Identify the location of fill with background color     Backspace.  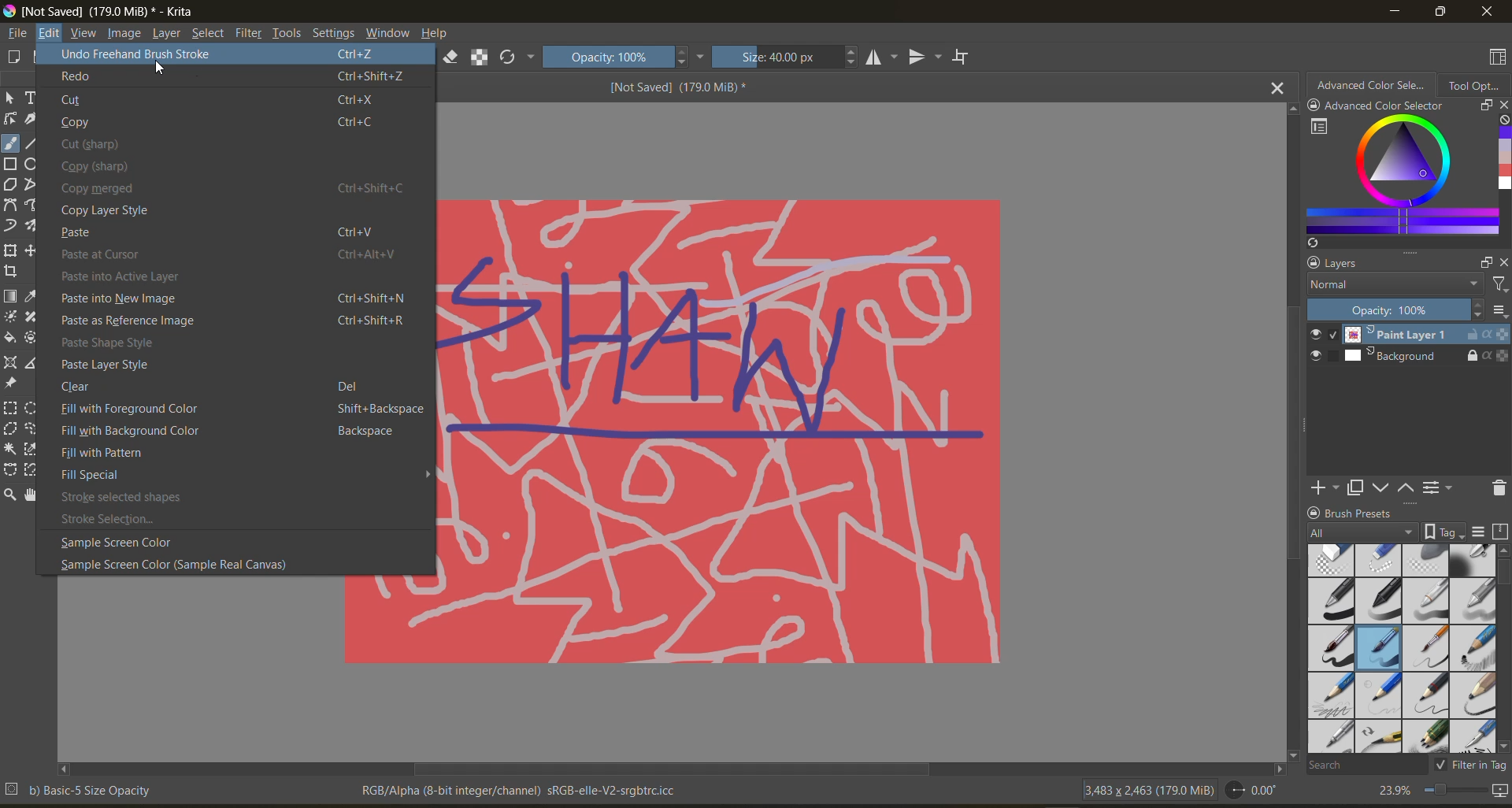
(235, 431).